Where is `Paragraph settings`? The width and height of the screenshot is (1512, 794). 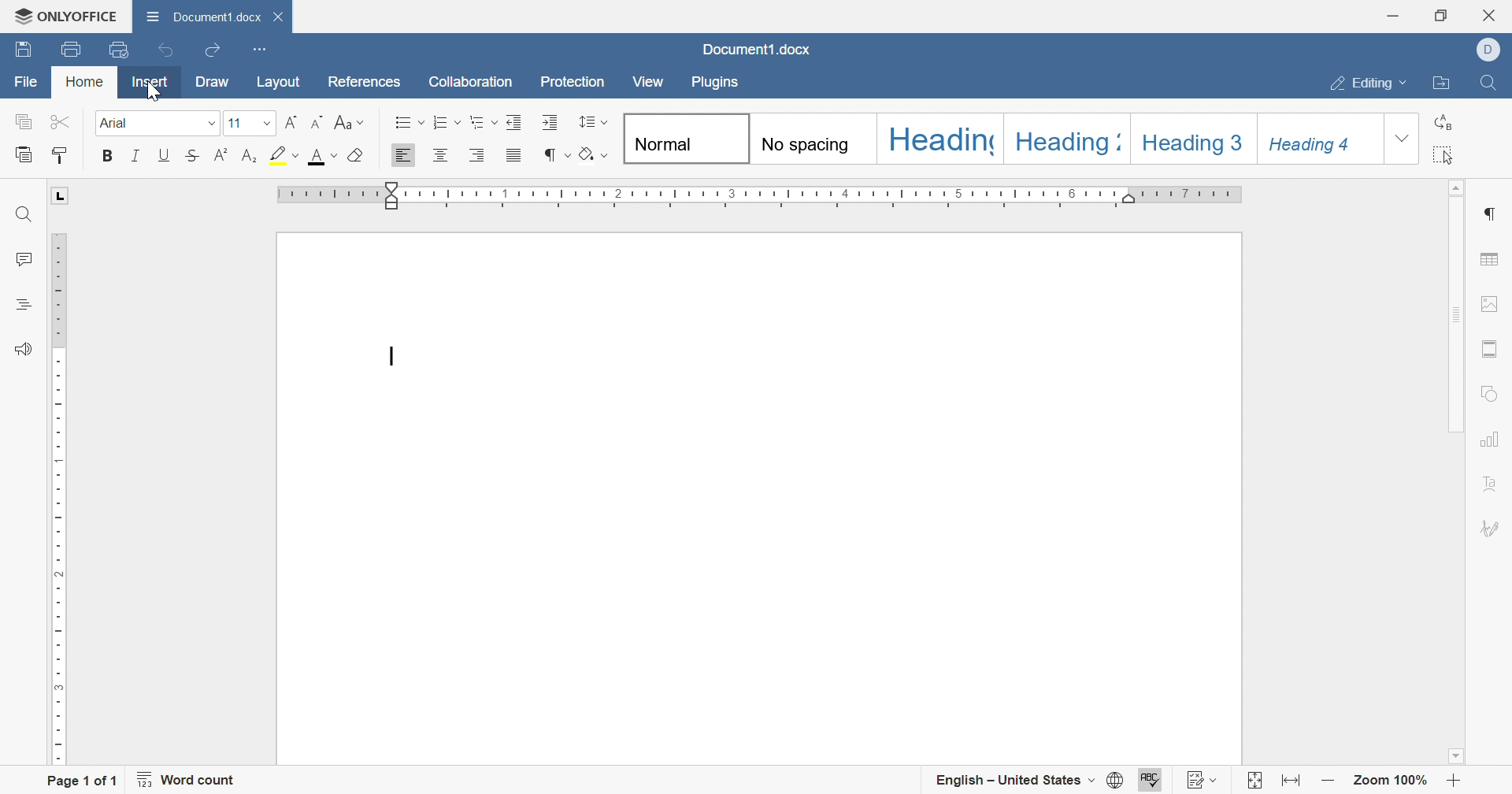 Paragraph settings is located at coordinates (1490, 214).